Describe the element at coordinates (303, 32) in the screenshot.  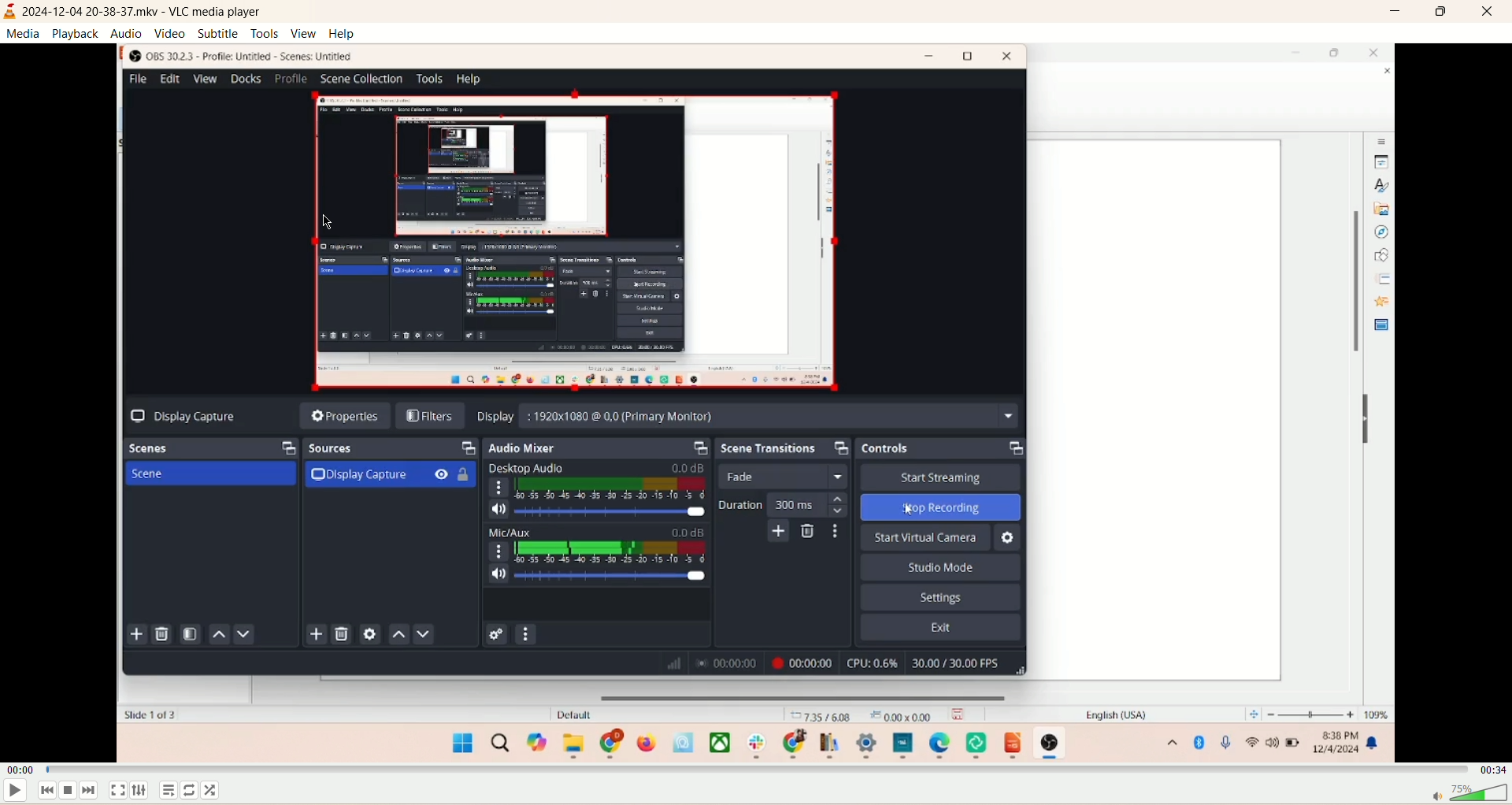
I see `view` at that location.